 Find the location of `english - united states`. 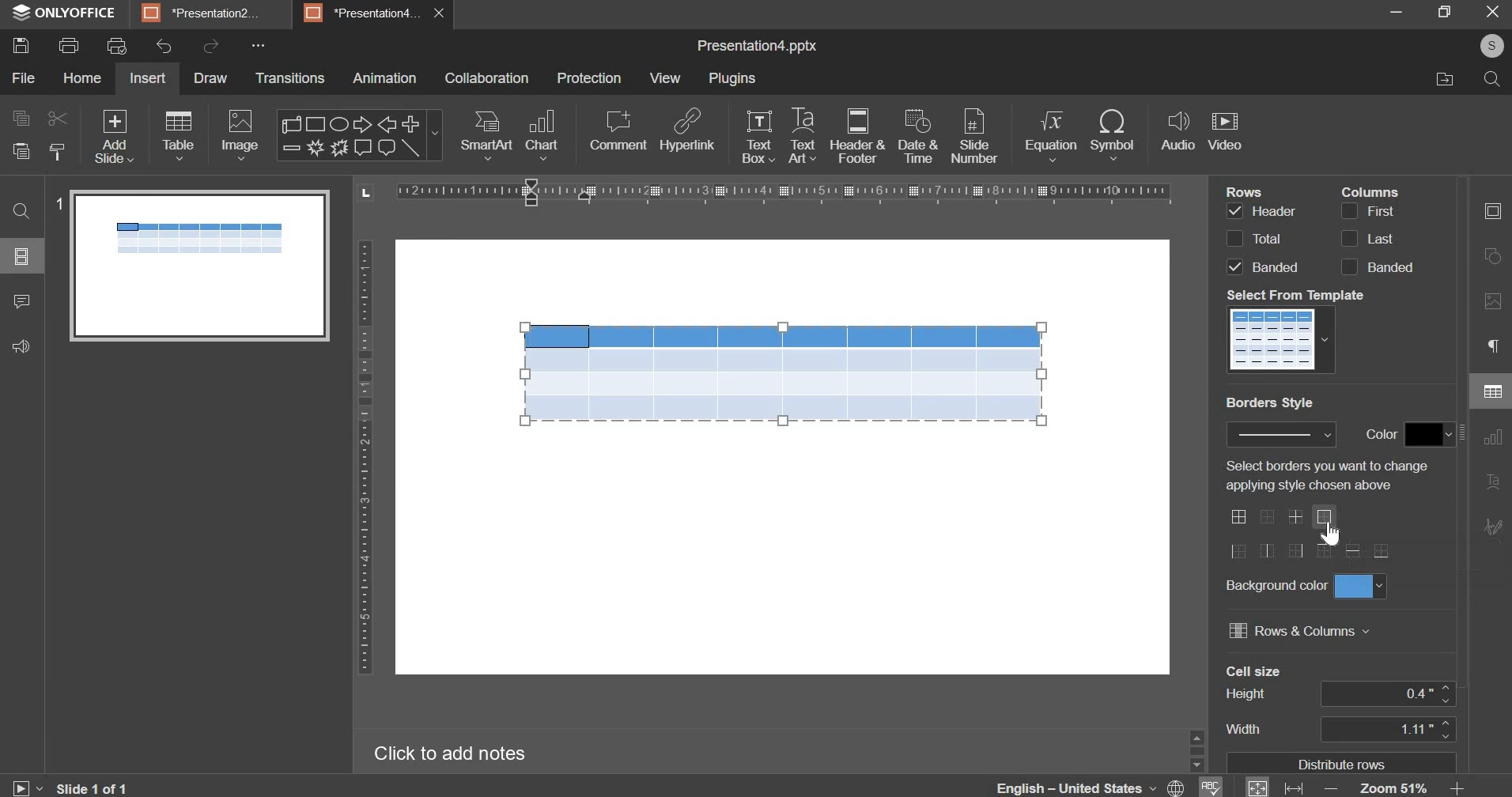

english - united states is located at coordinates (1079, 790).